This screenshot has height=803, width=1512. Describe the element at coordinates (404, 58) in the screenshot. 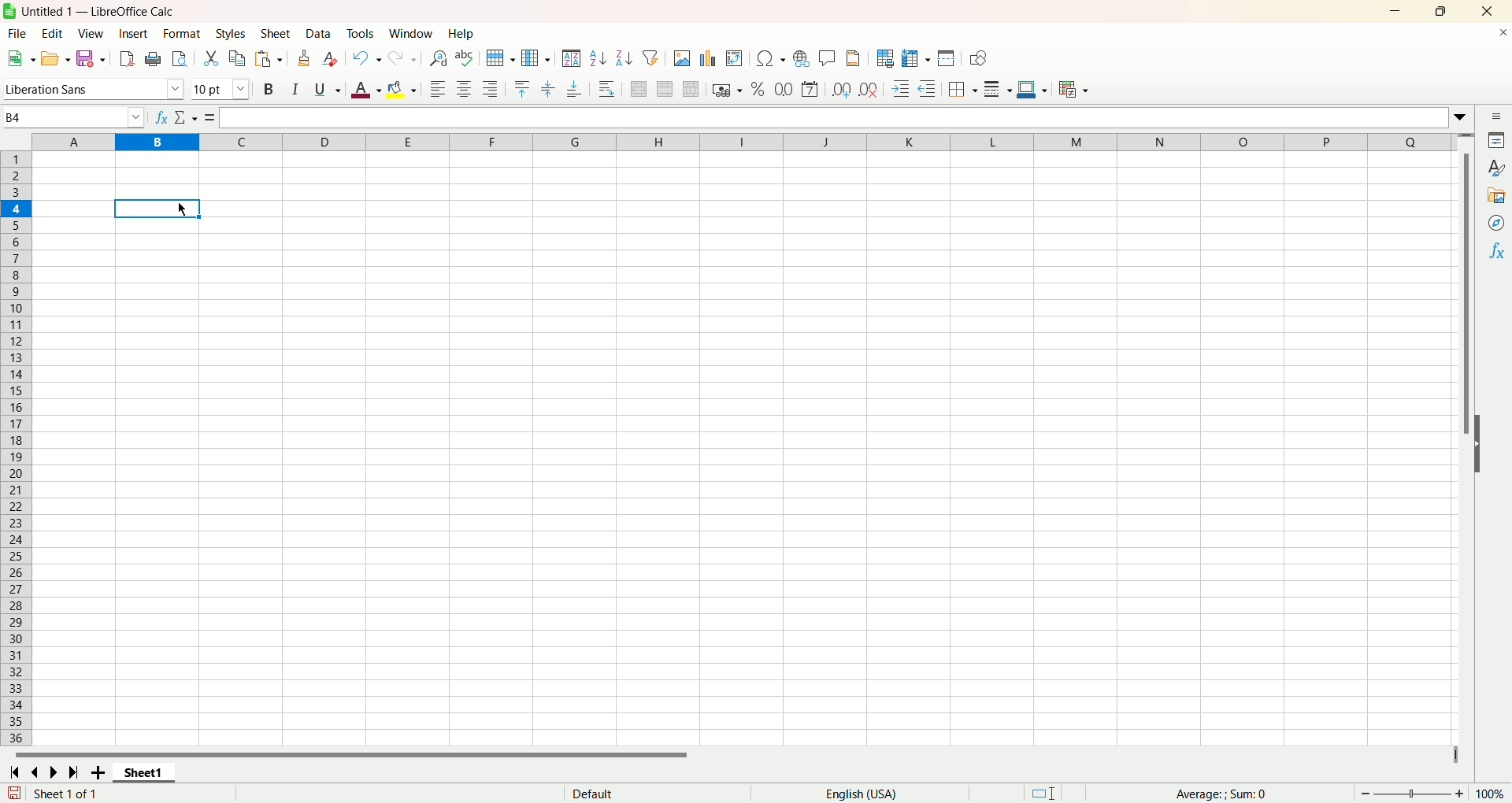

I see `redo` at that location.